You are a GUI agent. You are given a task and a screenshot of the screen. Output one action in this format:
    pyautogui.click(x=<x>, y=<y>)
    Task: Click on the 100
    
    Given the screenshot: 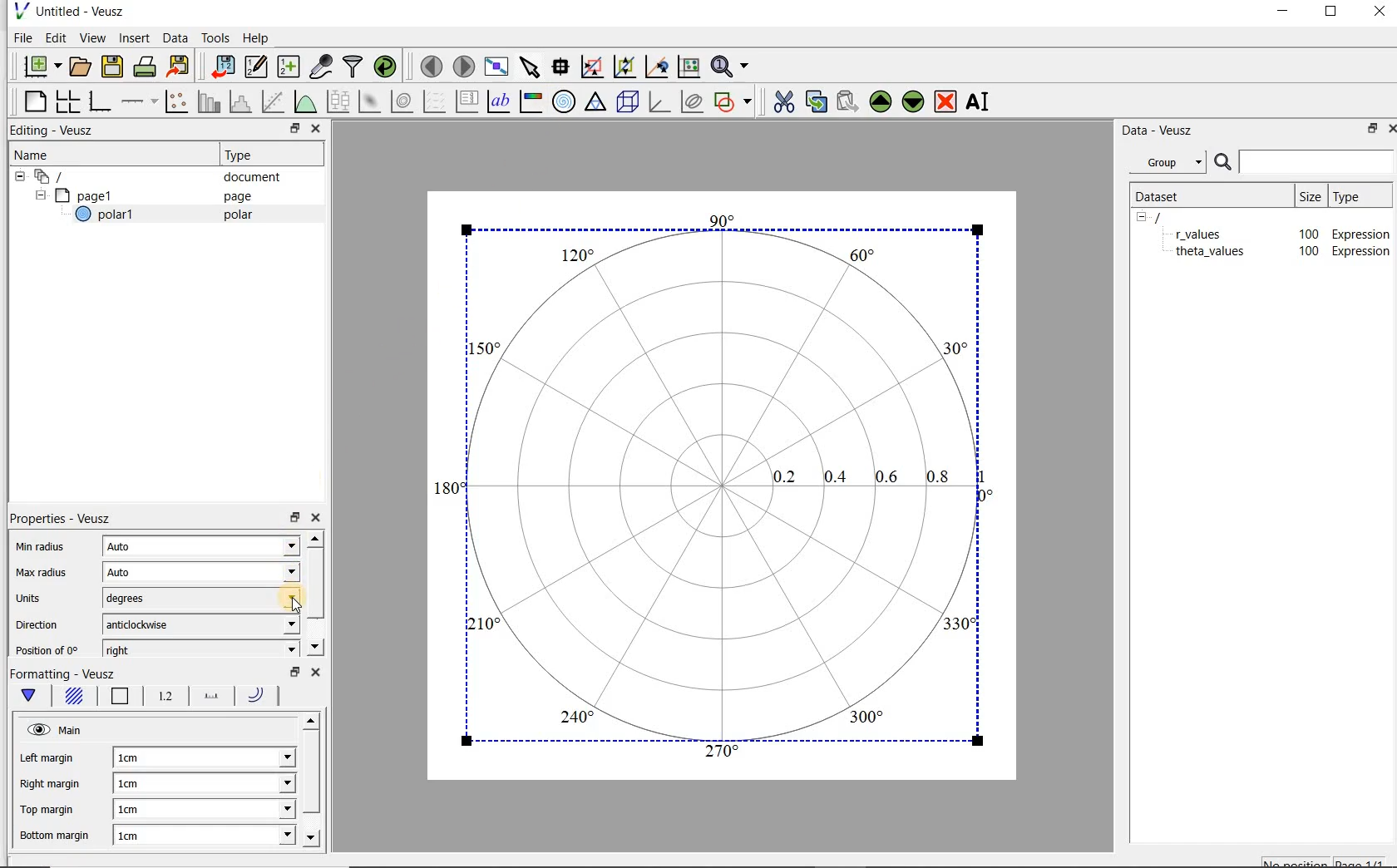 What is the action you would take?
    pyautogui.click(x=1304, y=232)
    